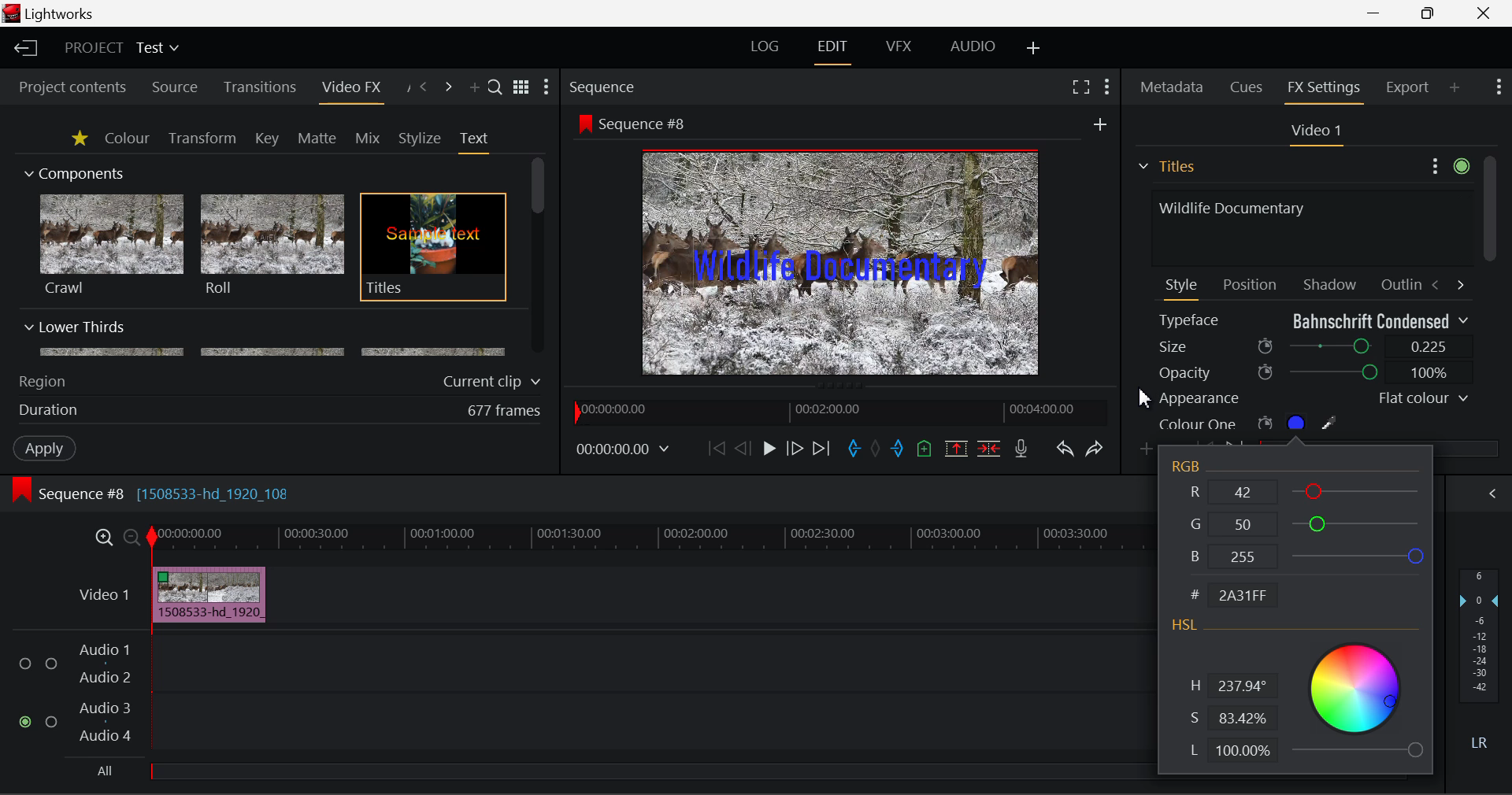 Image resolution: width=1512 pixels, height=795 pixels. Describe the element at coordinates (478, 142) in the screenshot. I see `Text Tab Open` at that location.